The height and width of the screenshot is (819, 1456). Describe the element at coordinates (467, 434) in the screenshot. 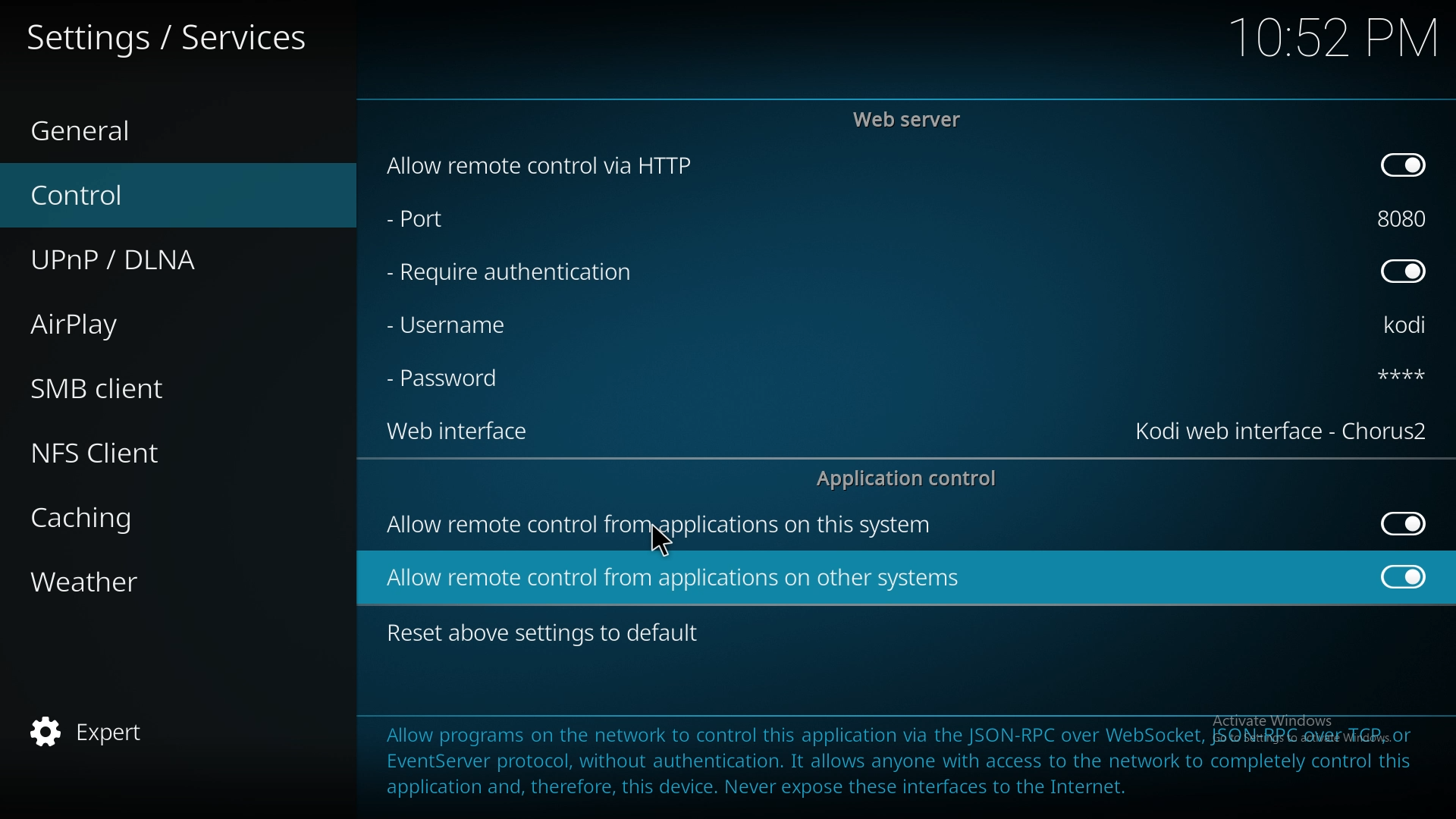

I see `web interface` at that location.